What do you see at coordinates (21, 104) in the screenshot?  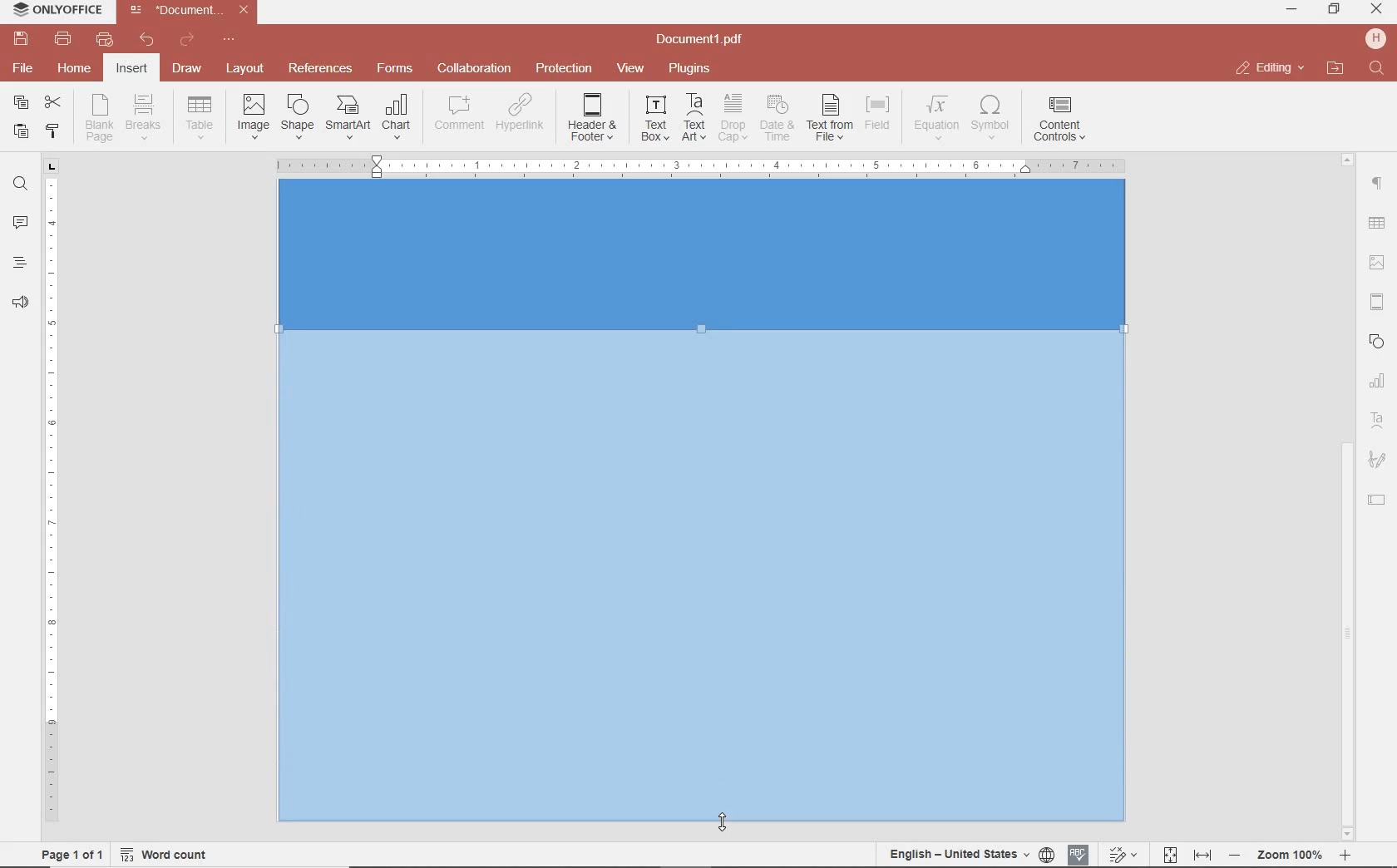 I see `copy` at bounding box center [21, 104].